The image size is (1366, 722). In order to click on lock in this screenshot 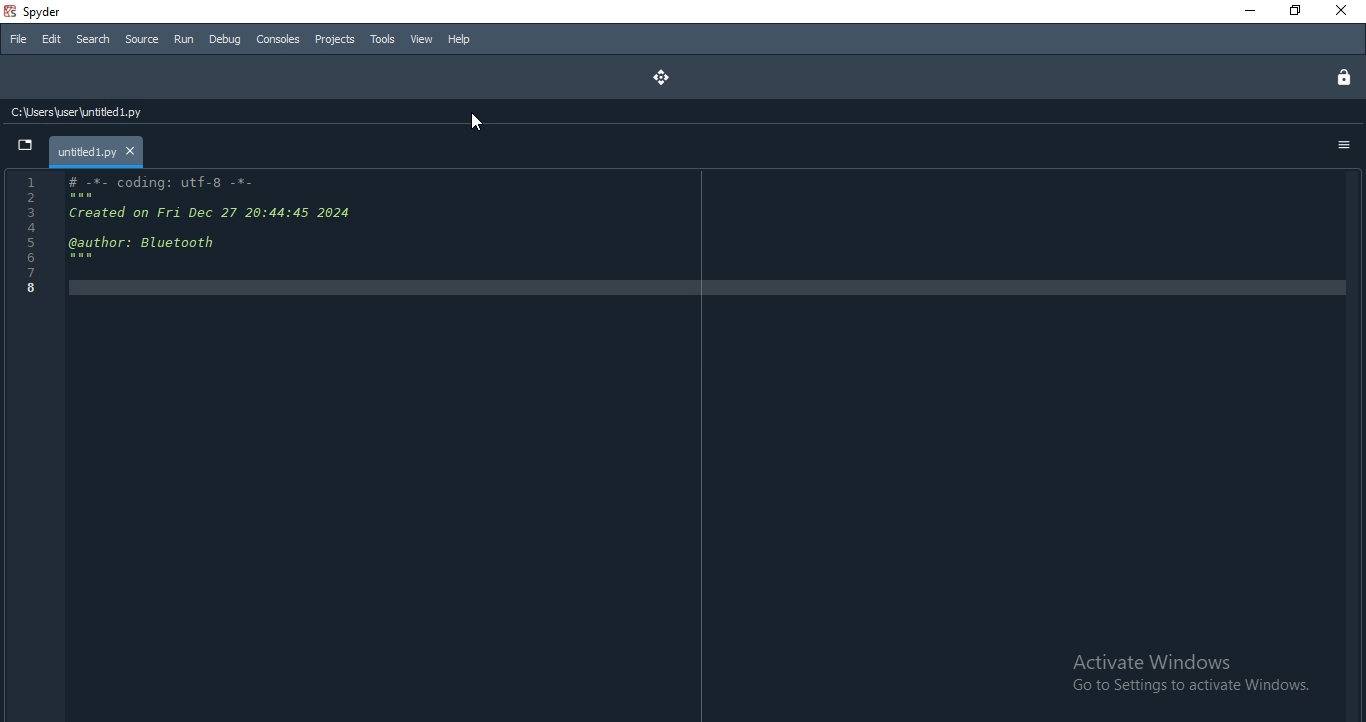, I will do `click(1339, 74)`.